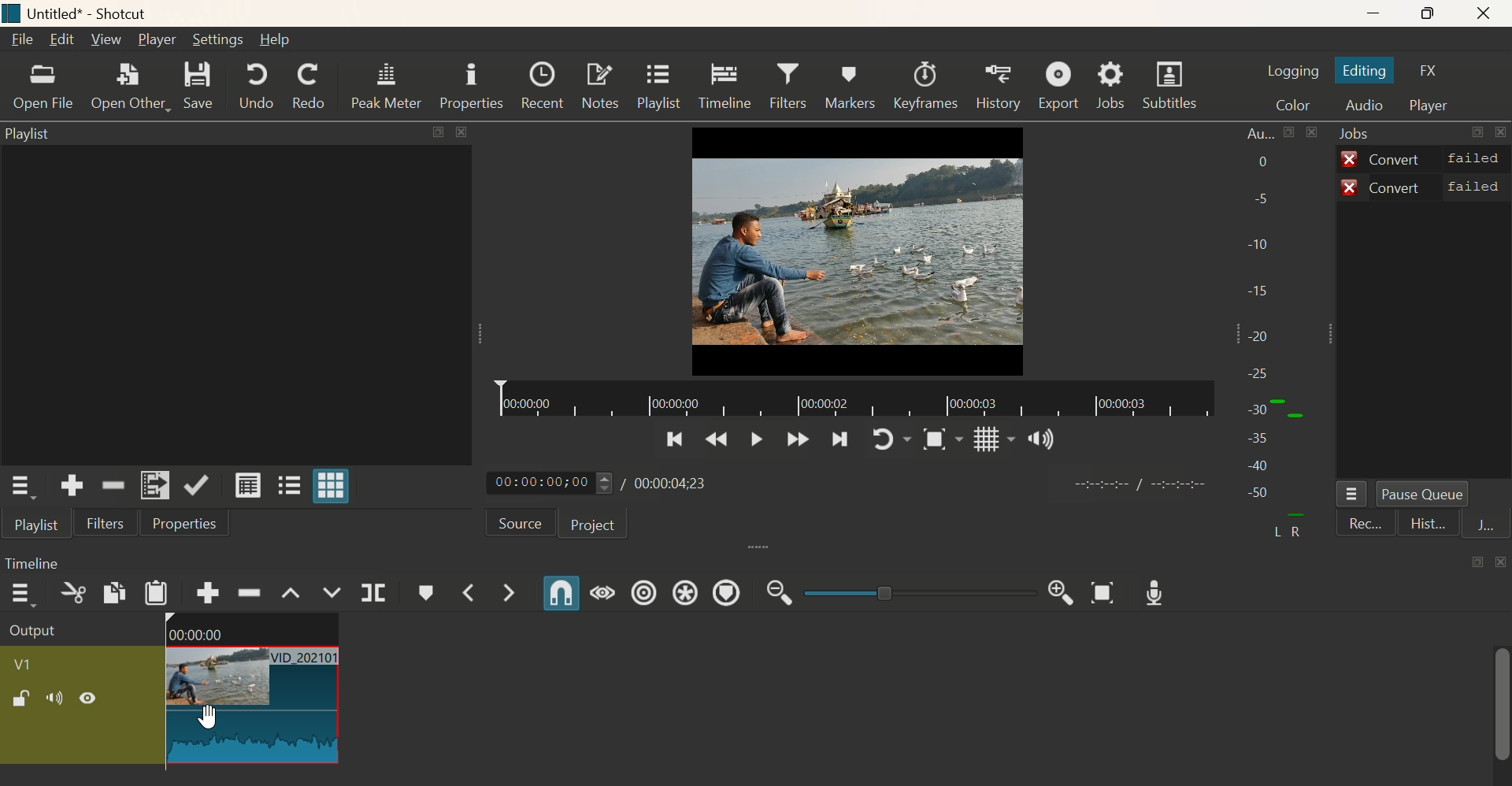 This screenshot has width=1512, height=786. Describe the element at coordinates (131, 89) in the screenshot. I see `Open Other` at that location.